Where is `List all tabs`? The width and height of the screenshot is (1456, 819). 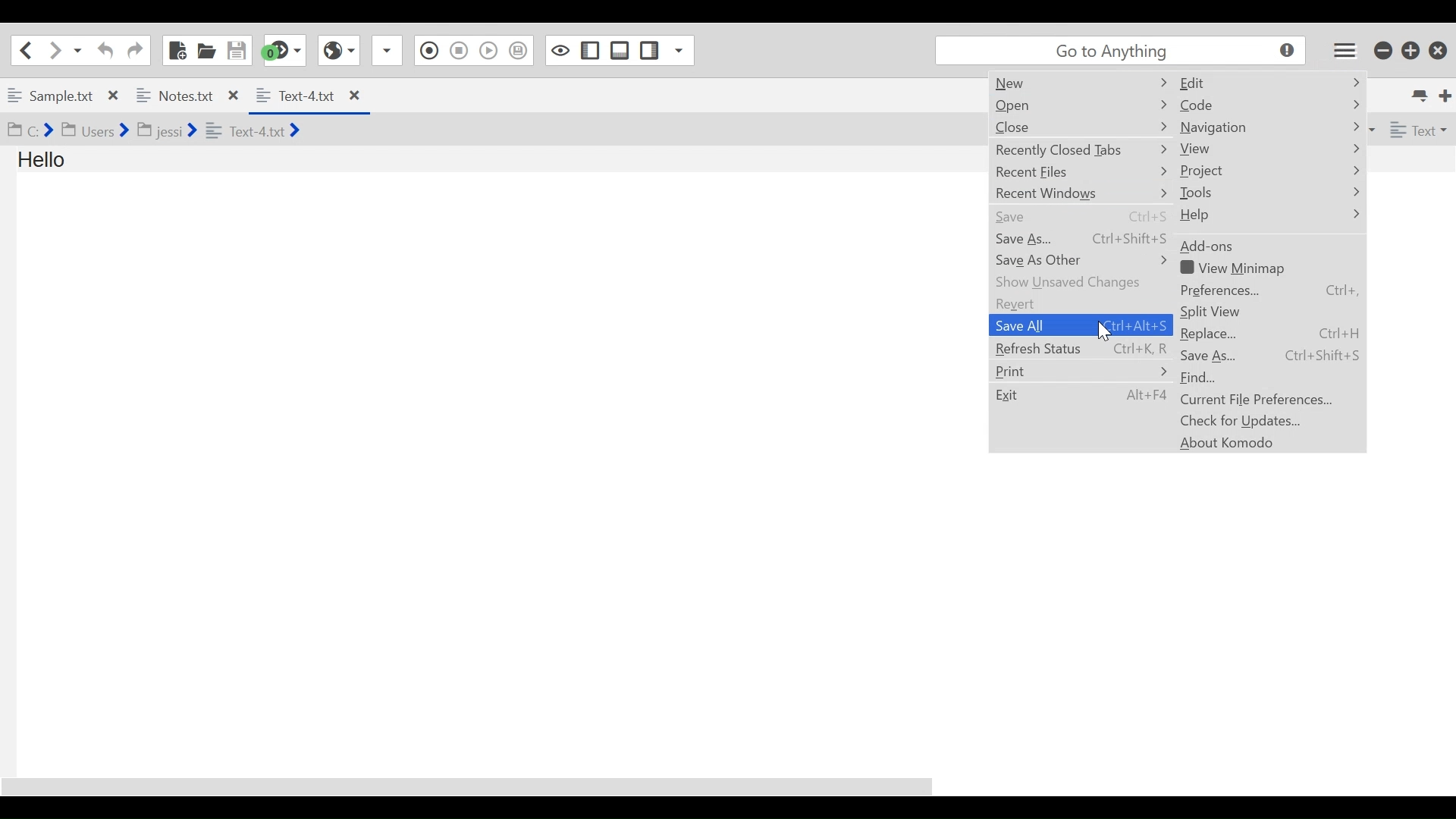 List all tabs is located at coordinates (1423, 96).